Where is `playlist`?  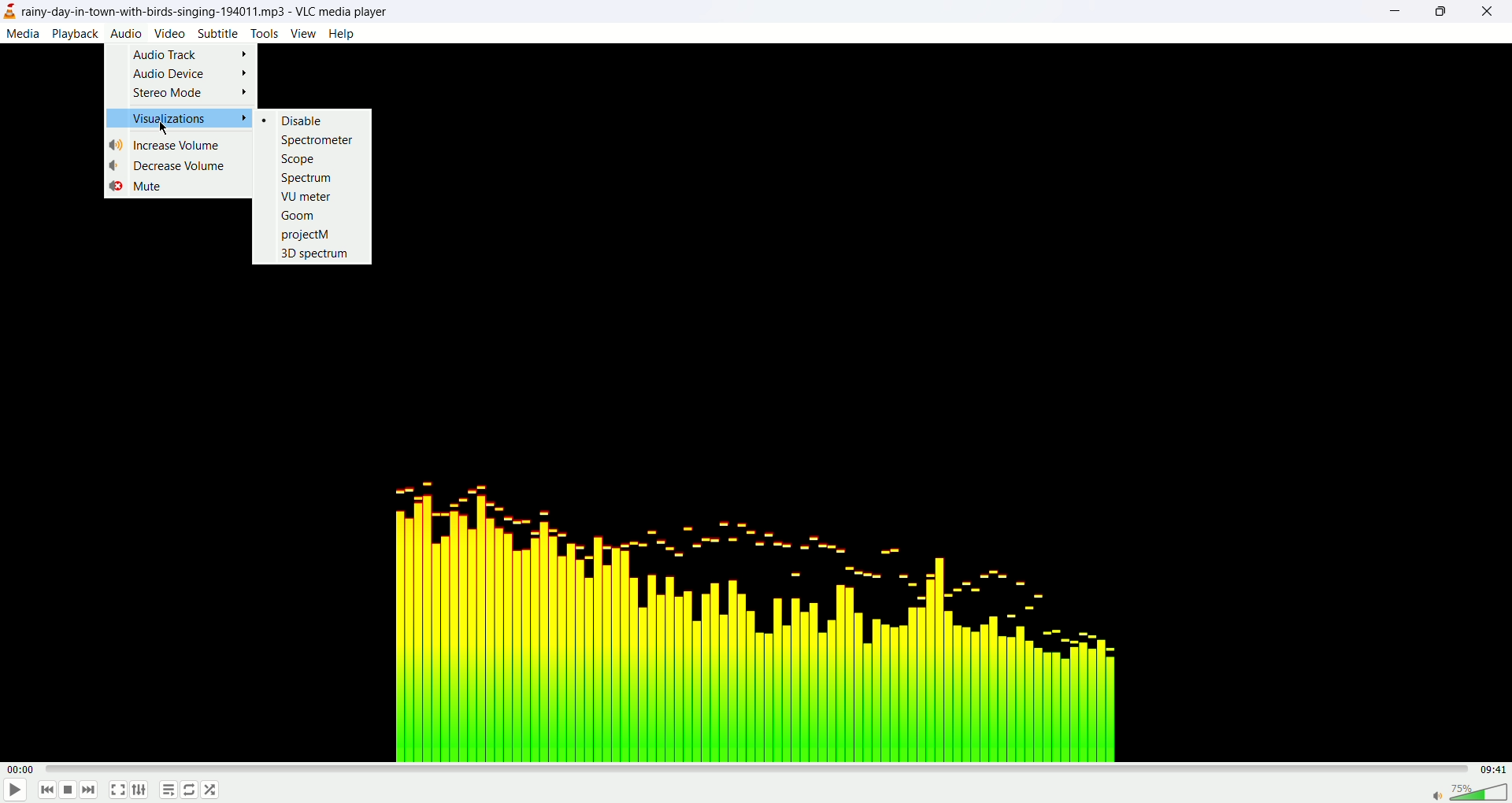
playlist is located at coordinates (168, 790).